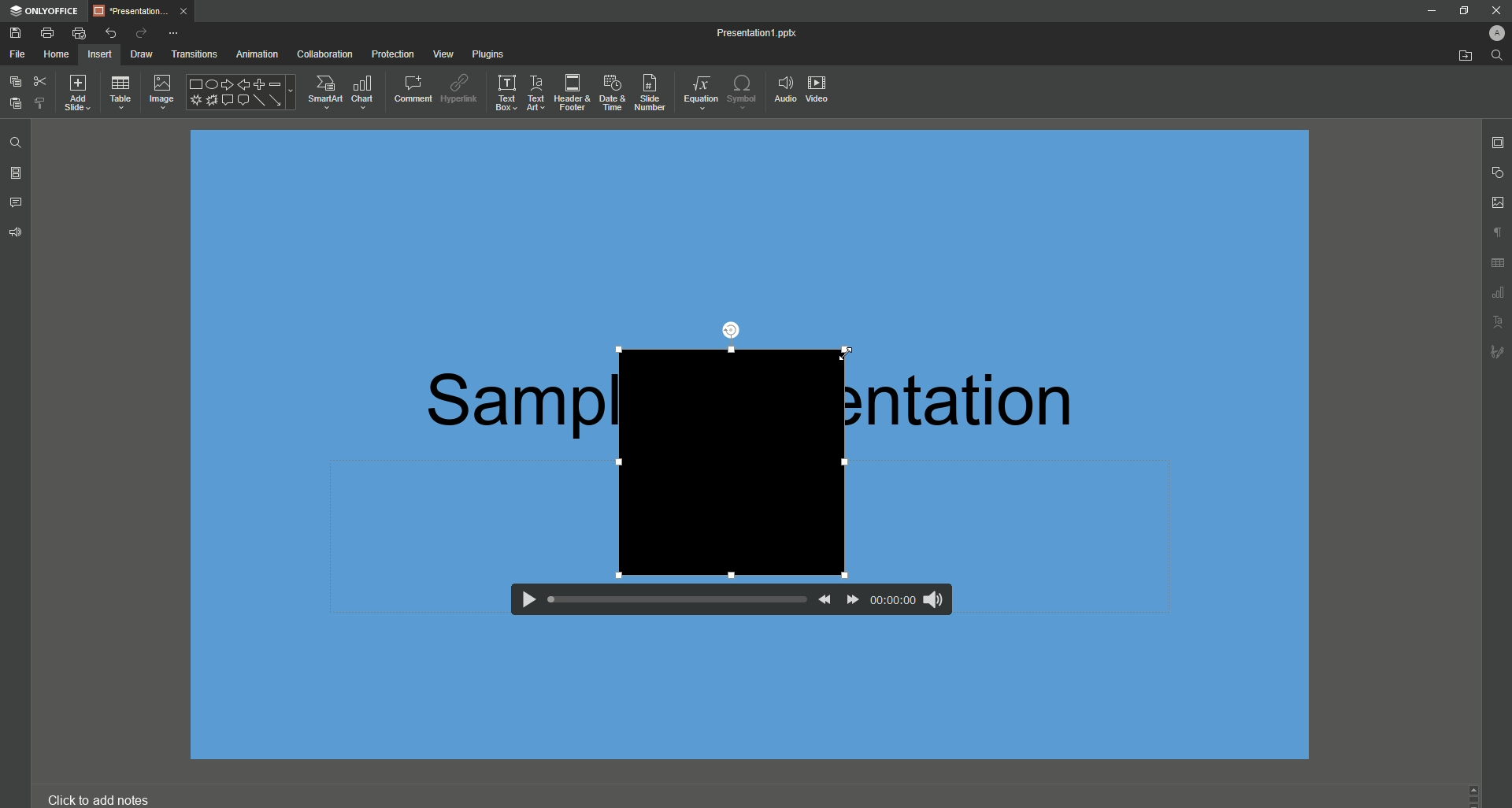  What do you see at coordinates (120, 93) in the screenshot?
I see `Table` at bounding box center [120, 93].